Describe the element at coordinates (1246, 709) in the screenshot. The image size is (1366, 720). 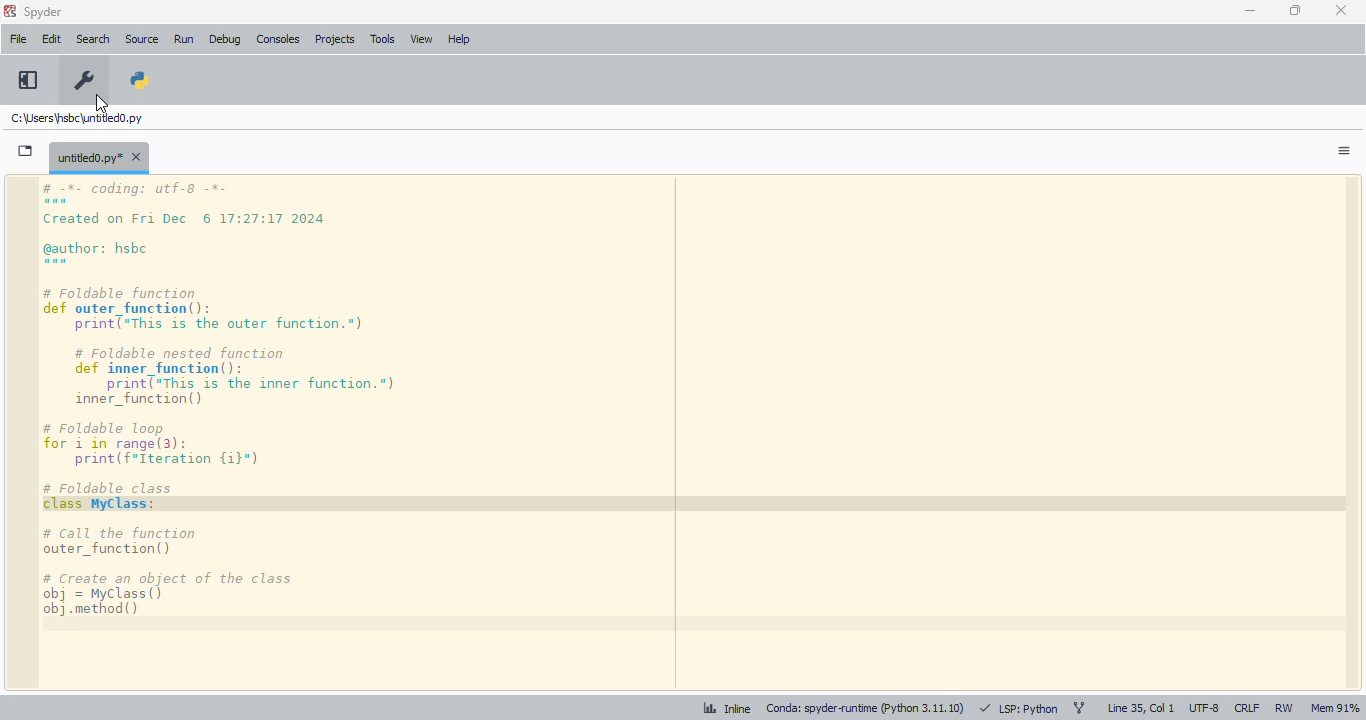
I see `CRLF` at that location.